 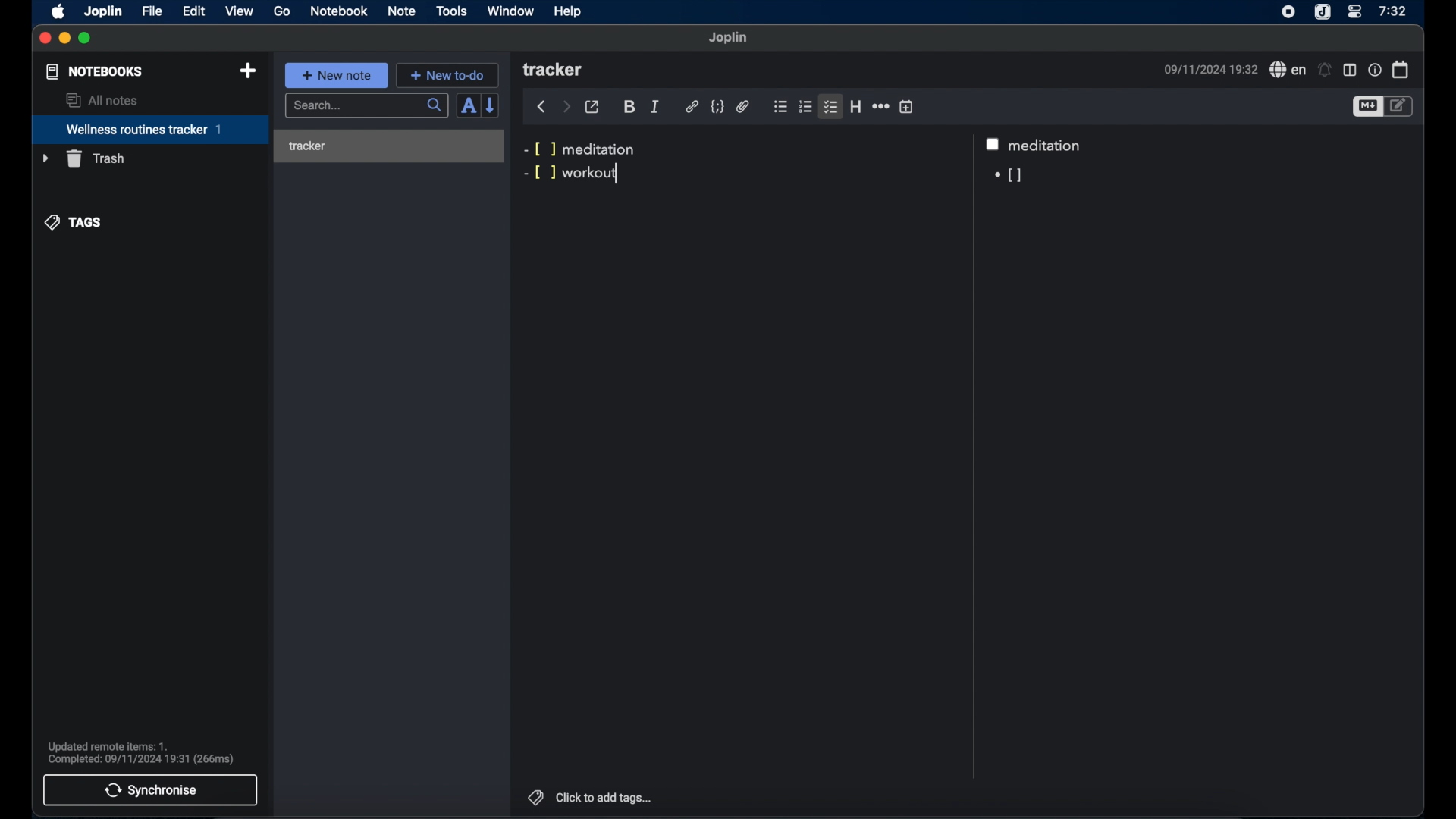 What do you see at coordinates (147, 751) in the screenshot?
I see `Updated remote items: 1. Complete: 09/11/2024 19:31 (266ms)` at bounding box center [147, 751].